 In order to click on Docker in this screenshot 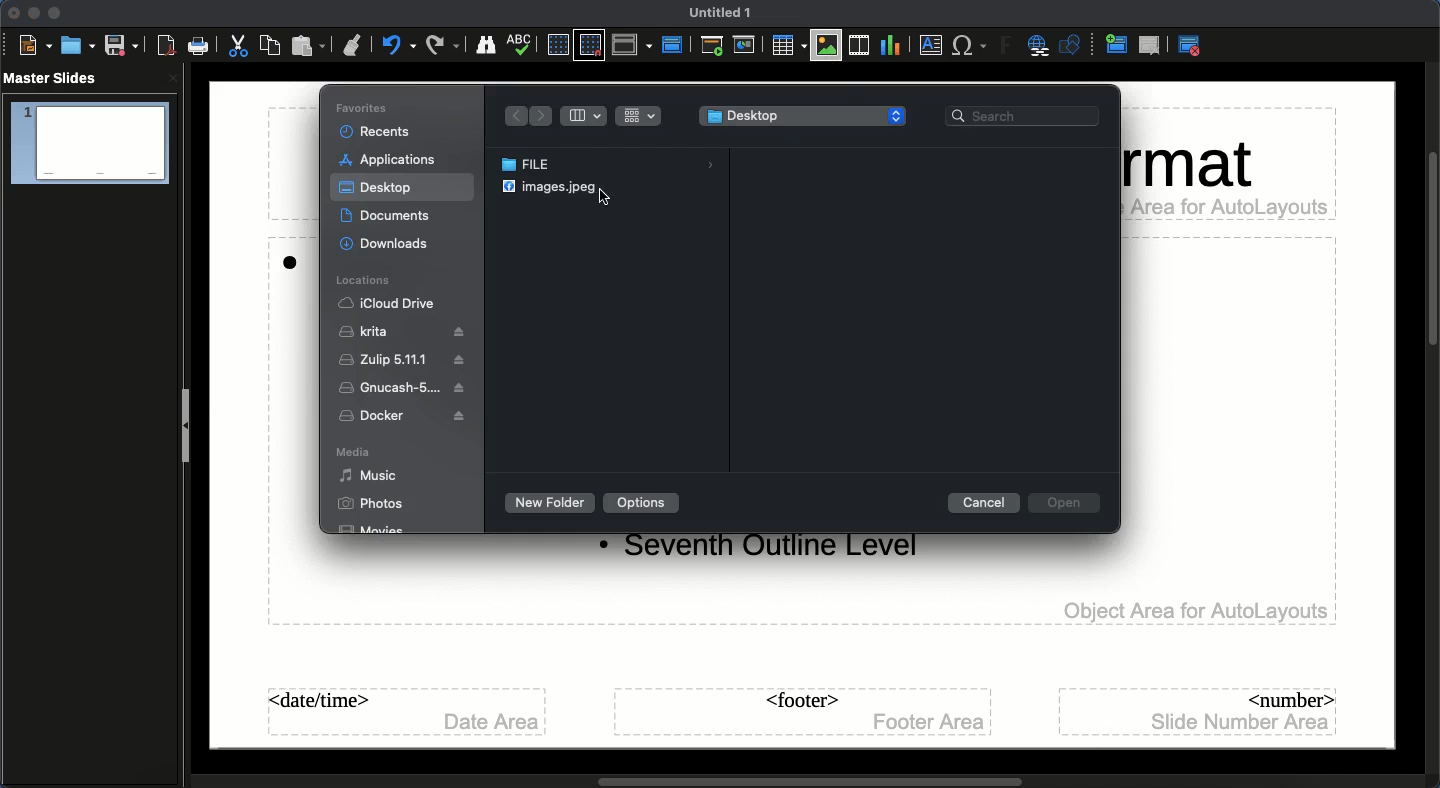, I will do `click(406, 416)`.